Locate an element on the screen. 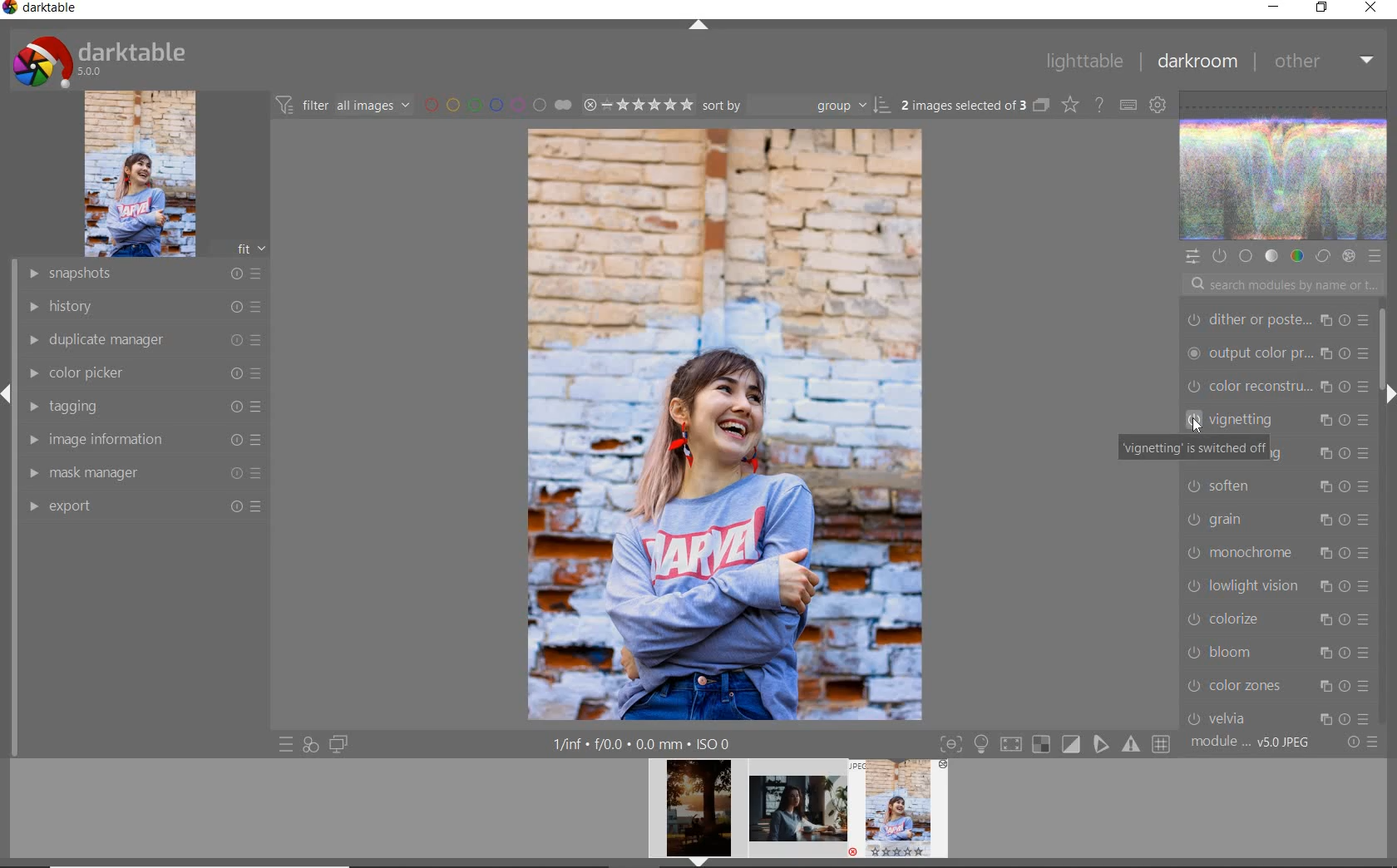 The width and height of the screenshot is (1397, 868). enlarge canvas is located at coordinates (1277, 550).